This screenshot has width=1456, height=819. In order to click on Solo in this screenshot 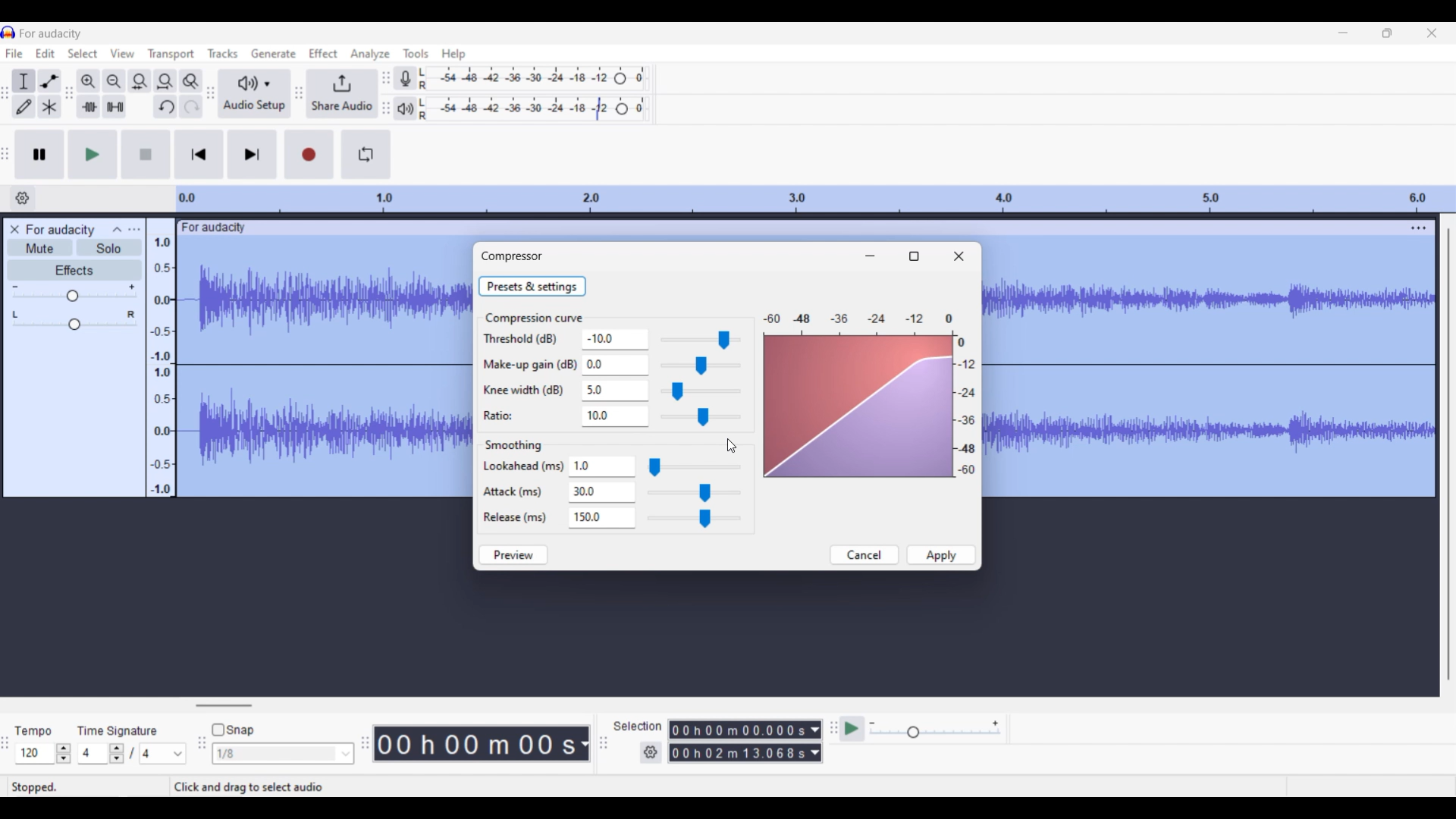, I will do `click(109, 248)`.